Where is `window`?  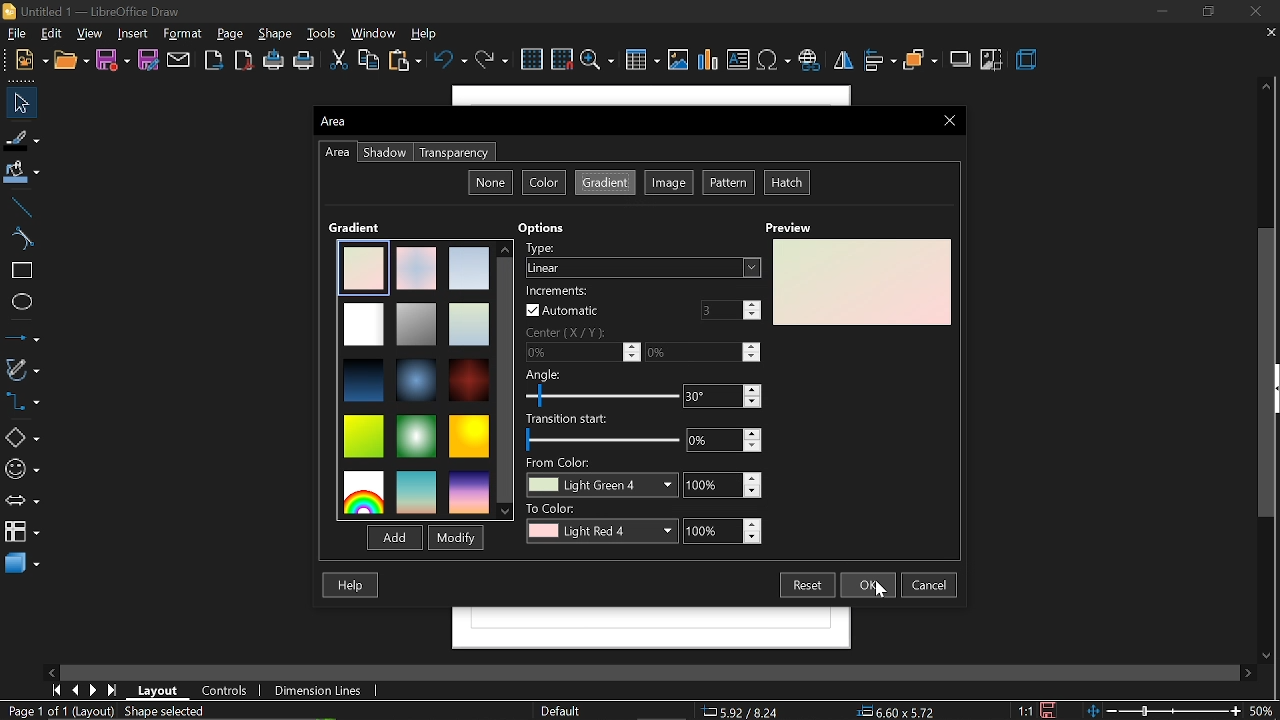 window is located at coordinates (375, 33).